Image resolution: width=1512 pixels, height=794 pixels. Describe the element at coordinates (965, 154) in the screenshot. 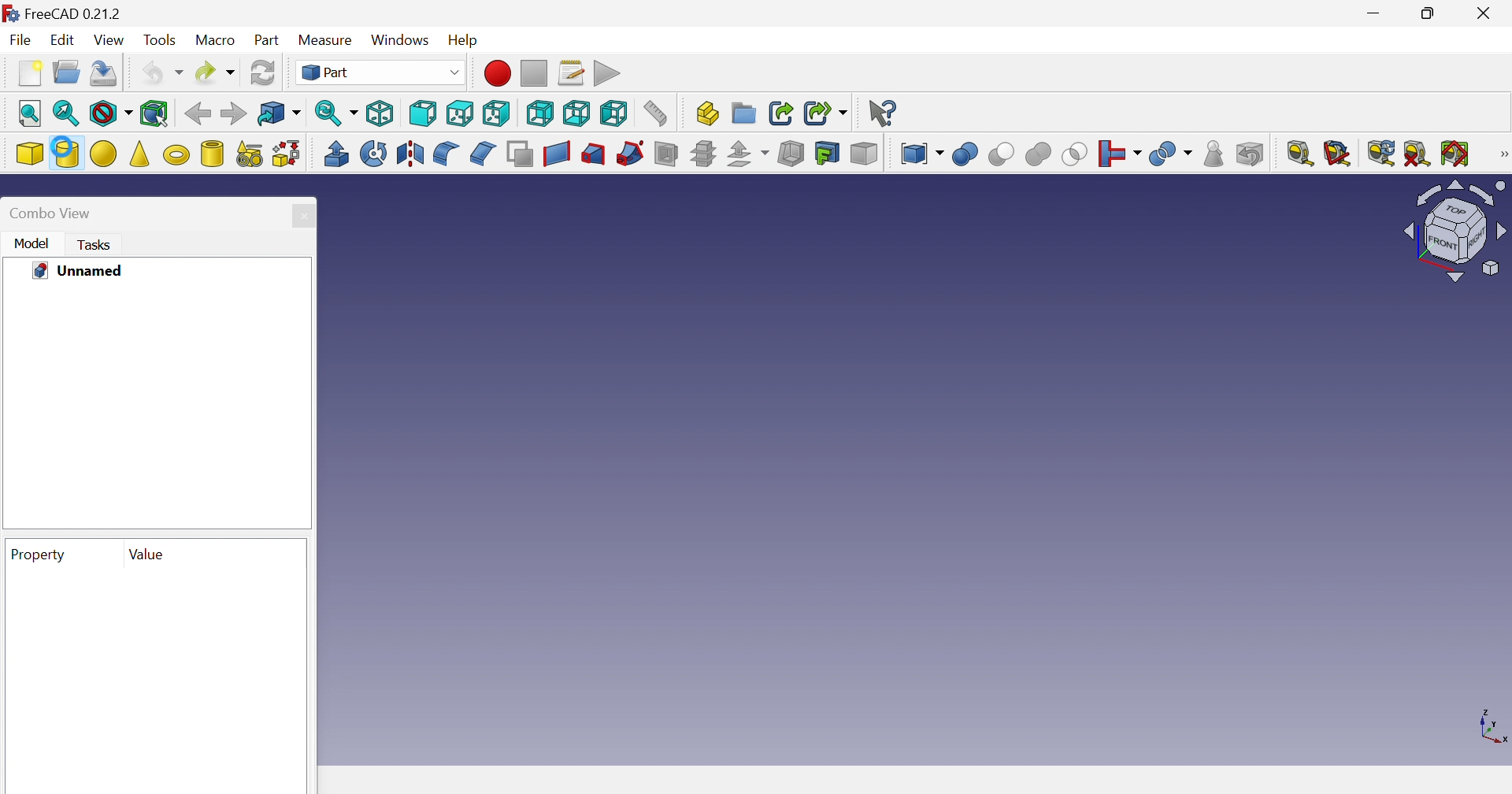

I see `Boolean` at that location.